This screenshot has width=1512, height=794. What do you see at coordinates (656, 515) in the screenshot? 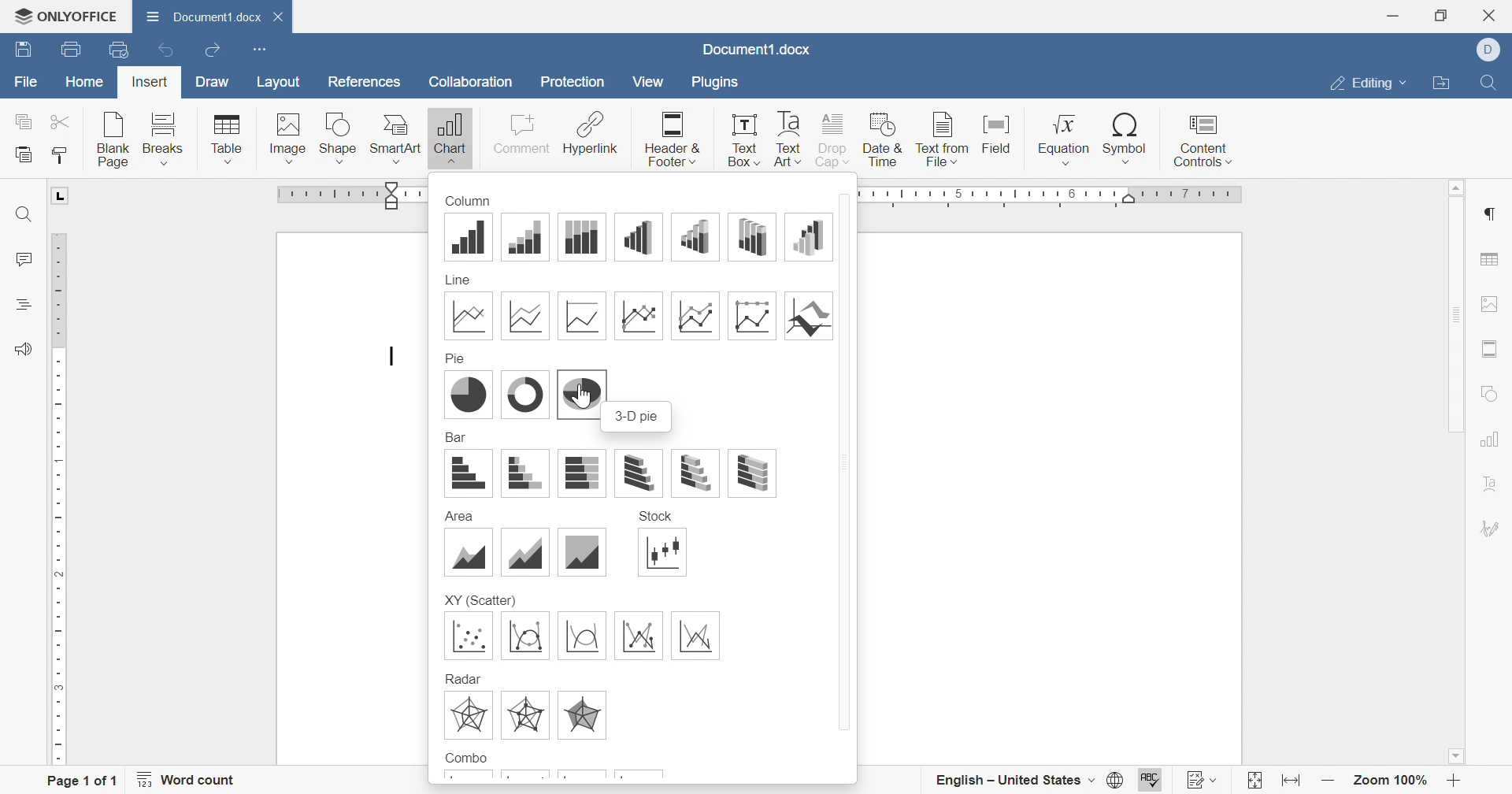
I see `Stock` at bounding box center [656, 515].